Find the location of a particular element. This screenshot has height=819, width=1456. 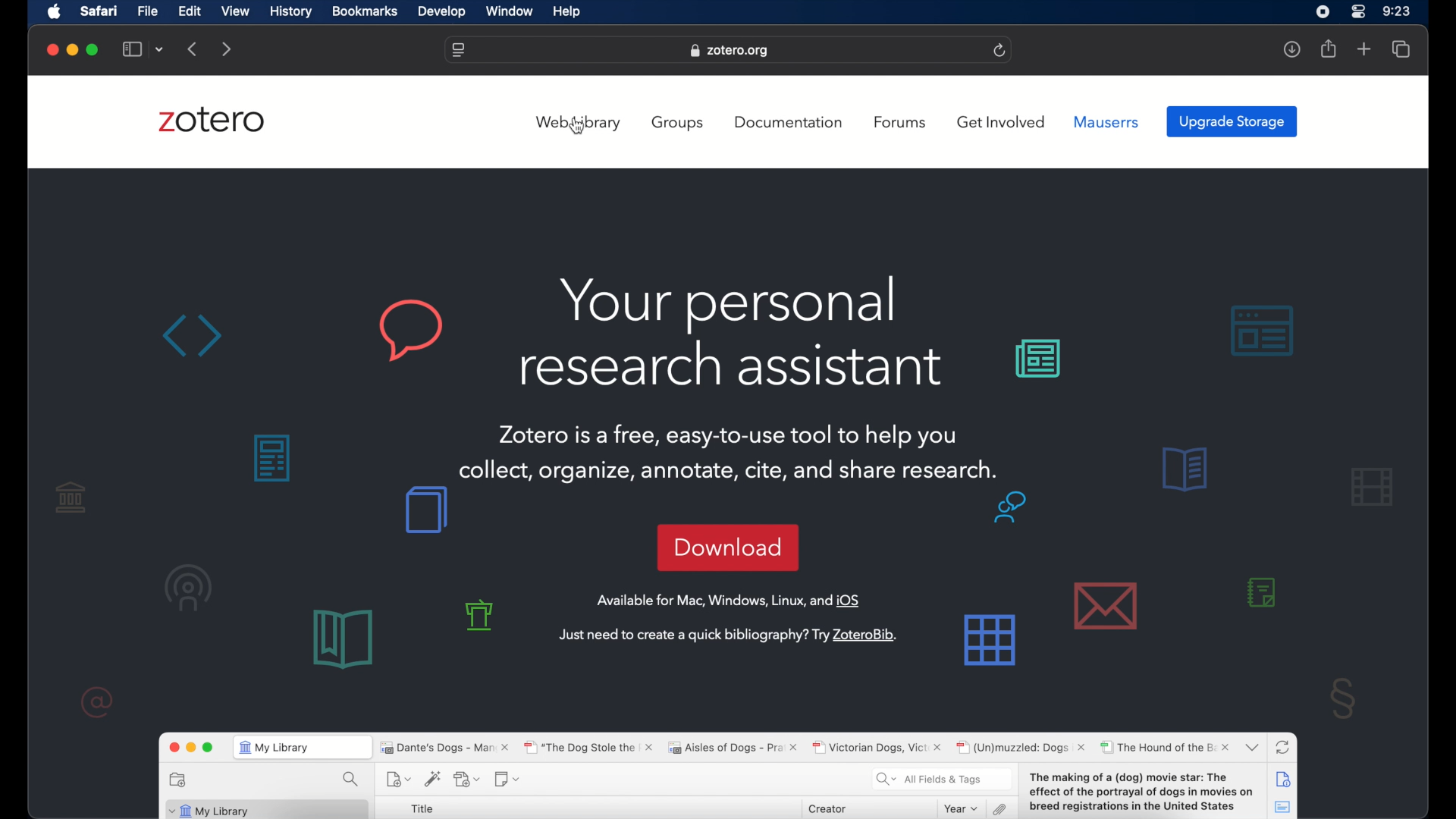

groups  is located at coordinates (679, 123).